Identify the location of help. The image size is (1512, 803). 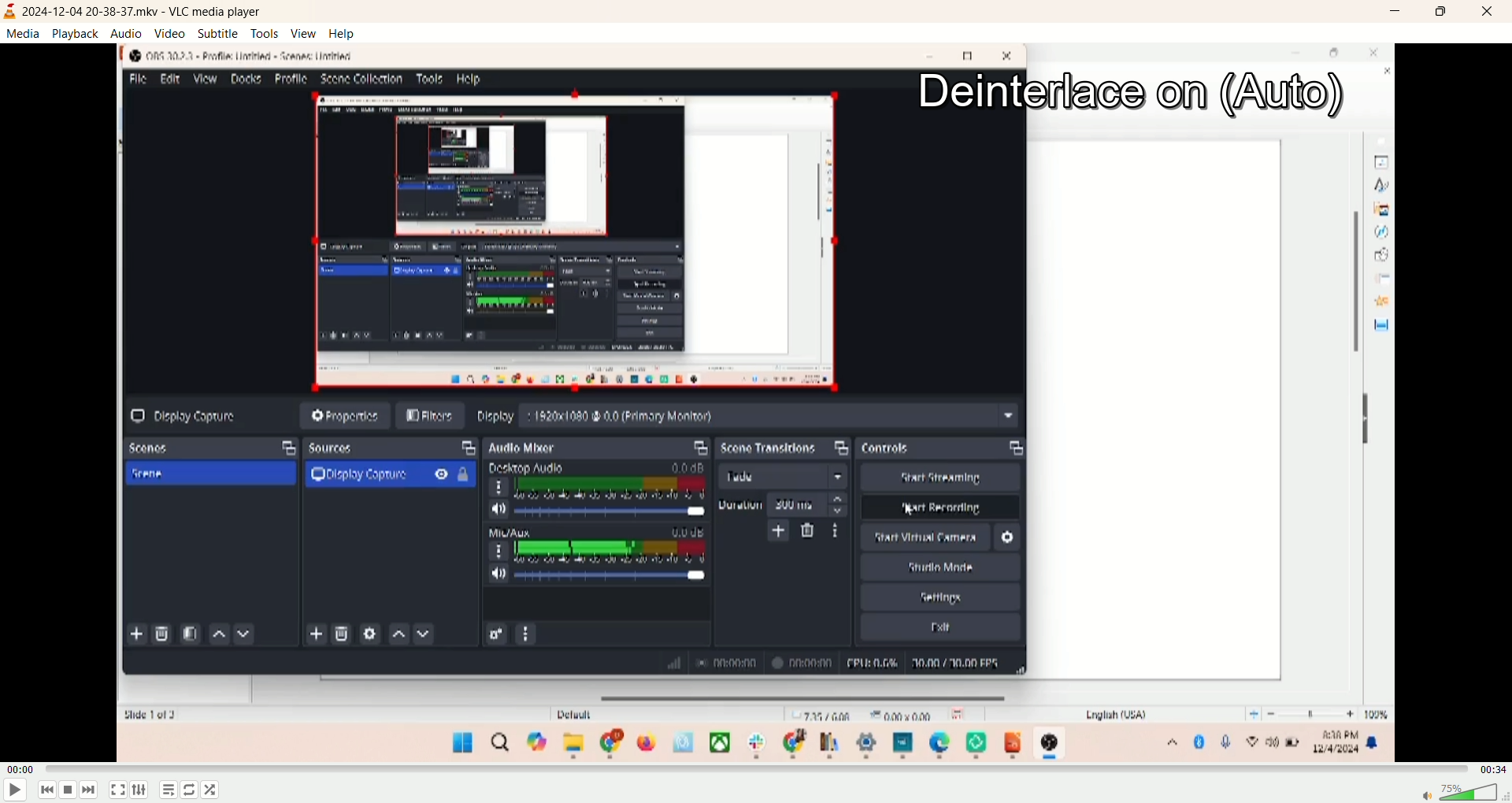
(341, 34).